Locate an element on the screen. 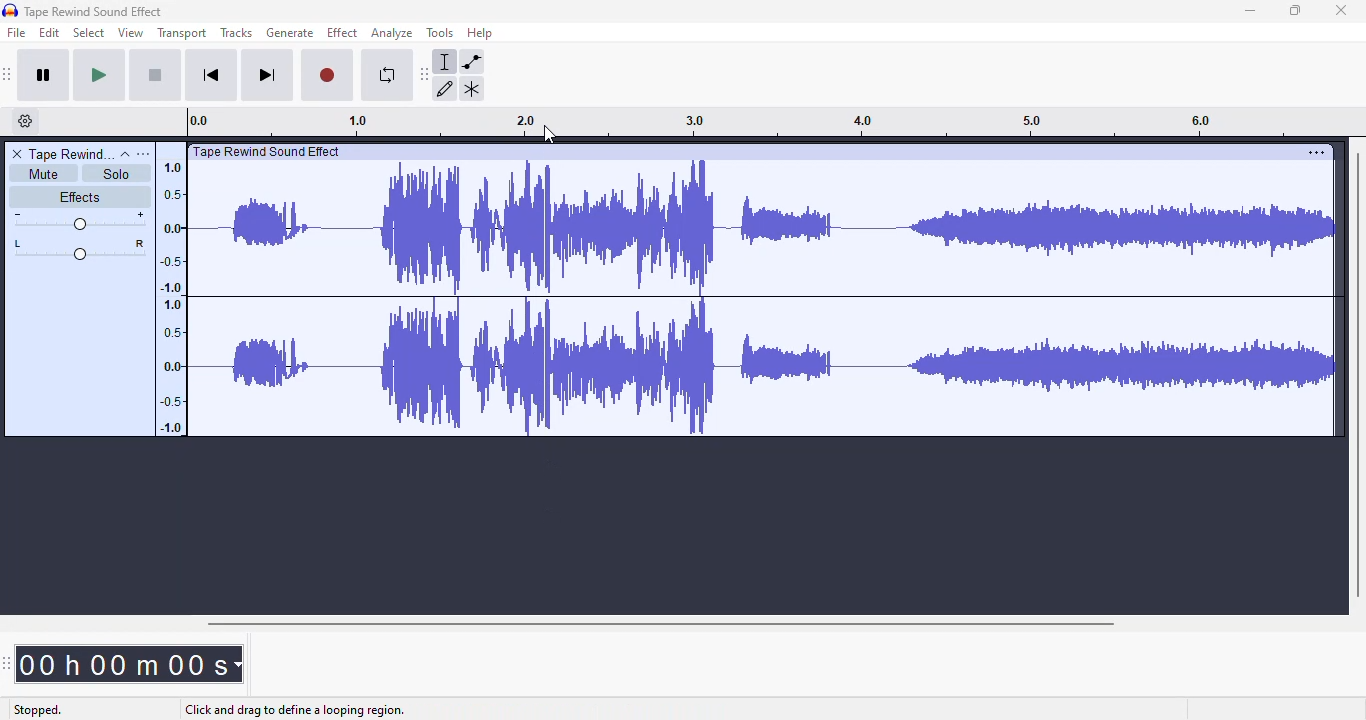  generate is located at coordinates (290, 33).